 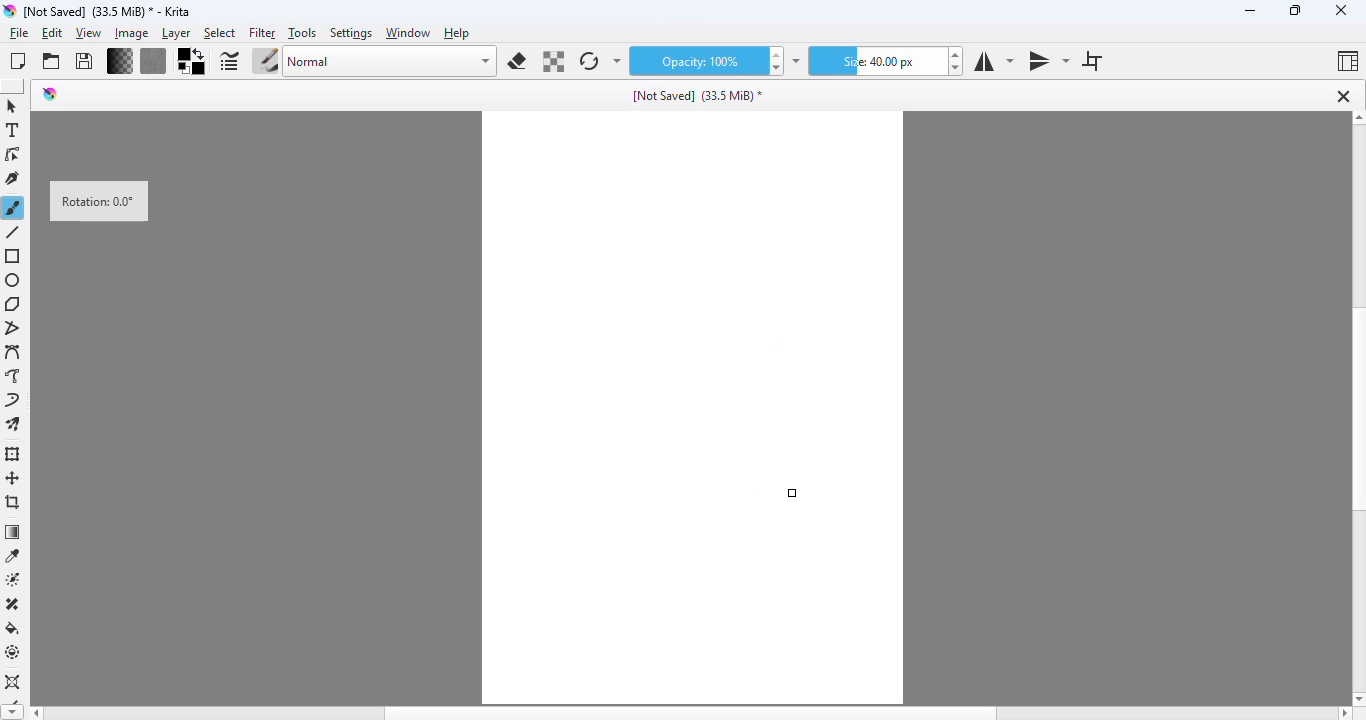 What do you see at coordinates (1343, 96) in the screenshot?
I see `close tab` at bounding box center [1343, 96].